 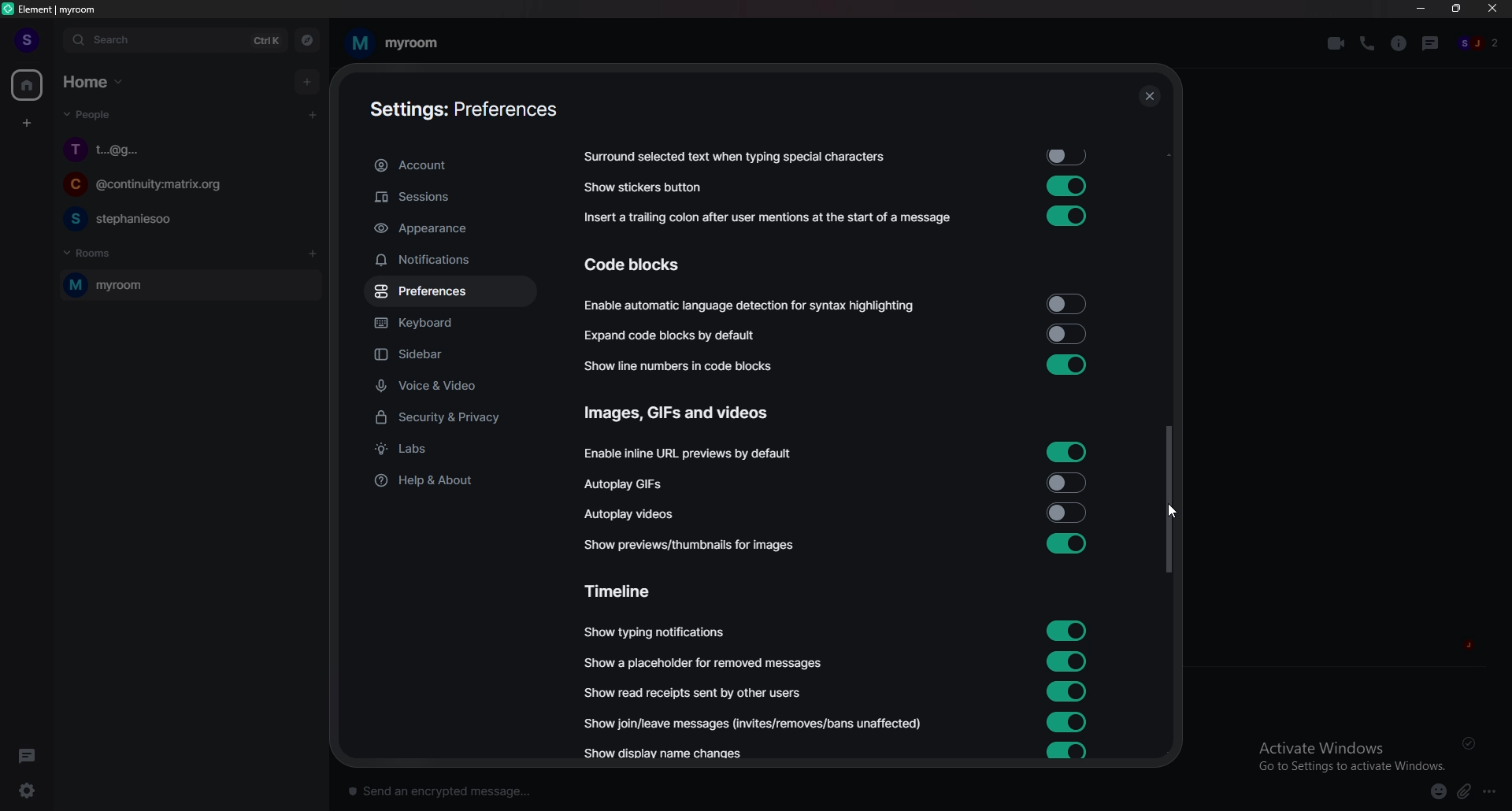 What do you see at coordinates (691, 454) in the screenshot?
I see `enable inline url previews by default` at bounding box center [691, 454].